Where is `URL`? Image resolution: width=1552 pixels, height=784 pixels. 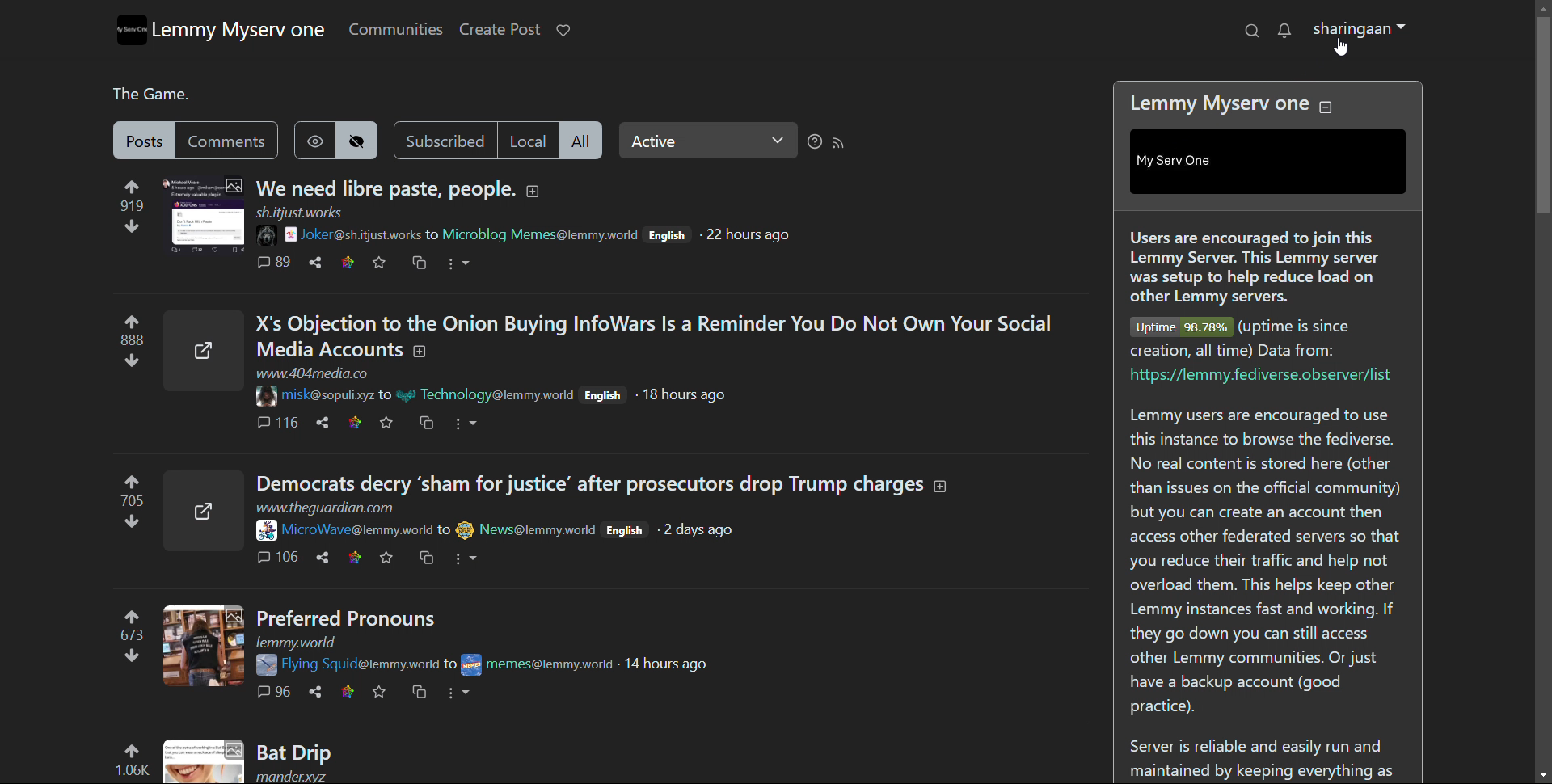
URL is located at coordinates (302, 211).